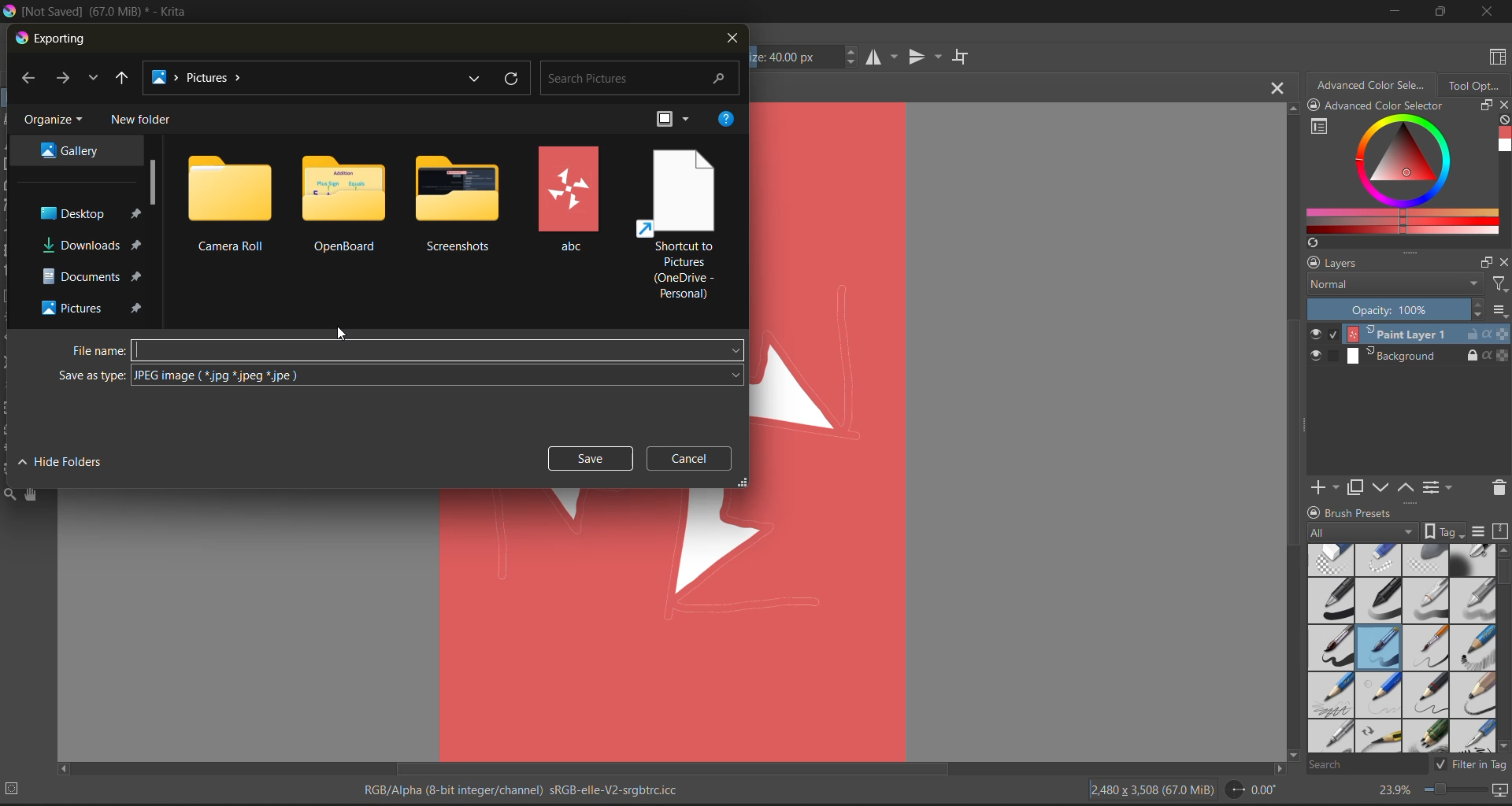 This screenshot has height=806, width=1512. What do you see at coordinates (88, 212) in the screenshot?
I see `file destination` at bounding box center [88, 212].